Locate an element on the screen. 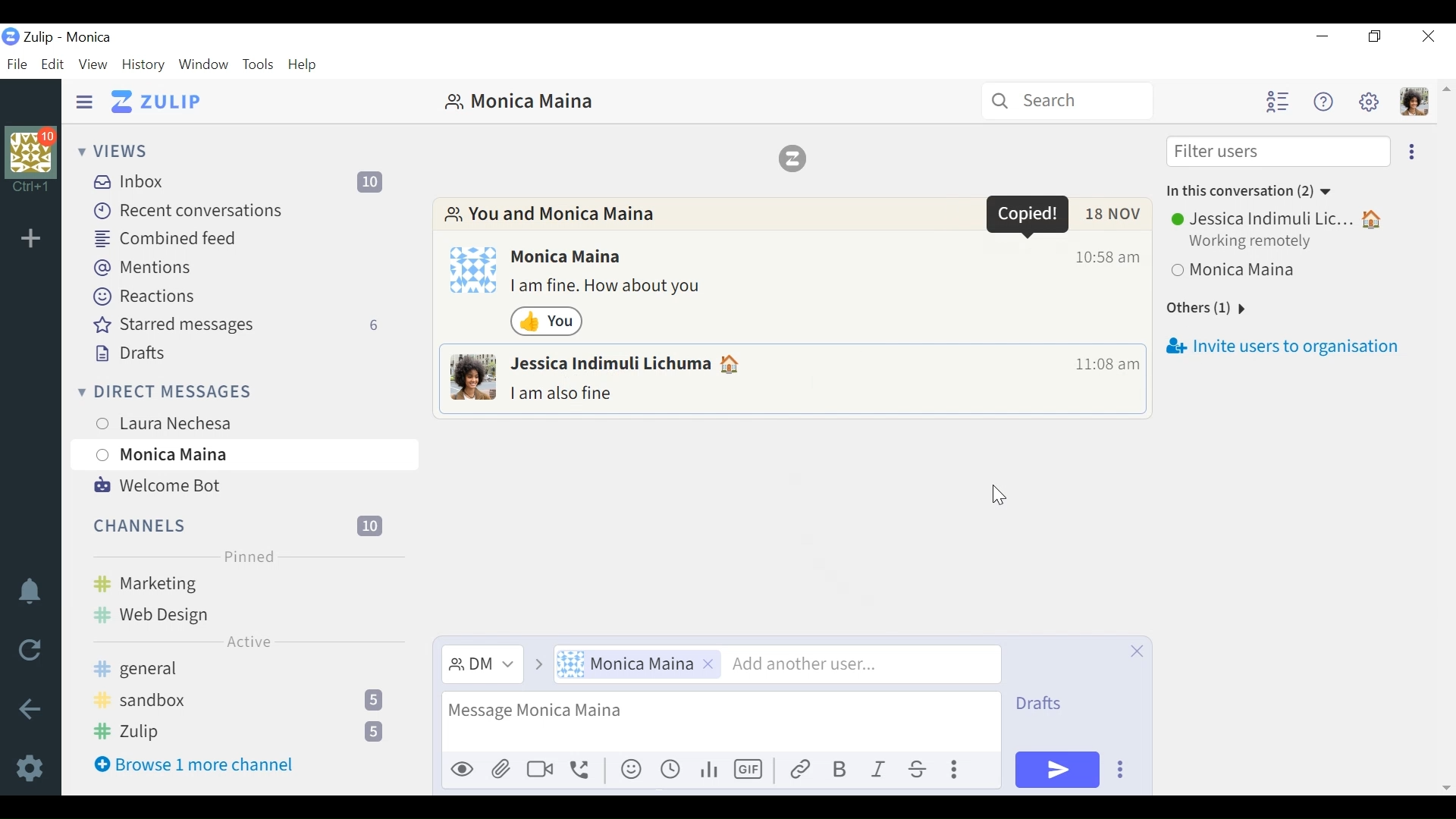 The height and width of the screenshot is (819, 1456). call is located at coordinates (584, 772).